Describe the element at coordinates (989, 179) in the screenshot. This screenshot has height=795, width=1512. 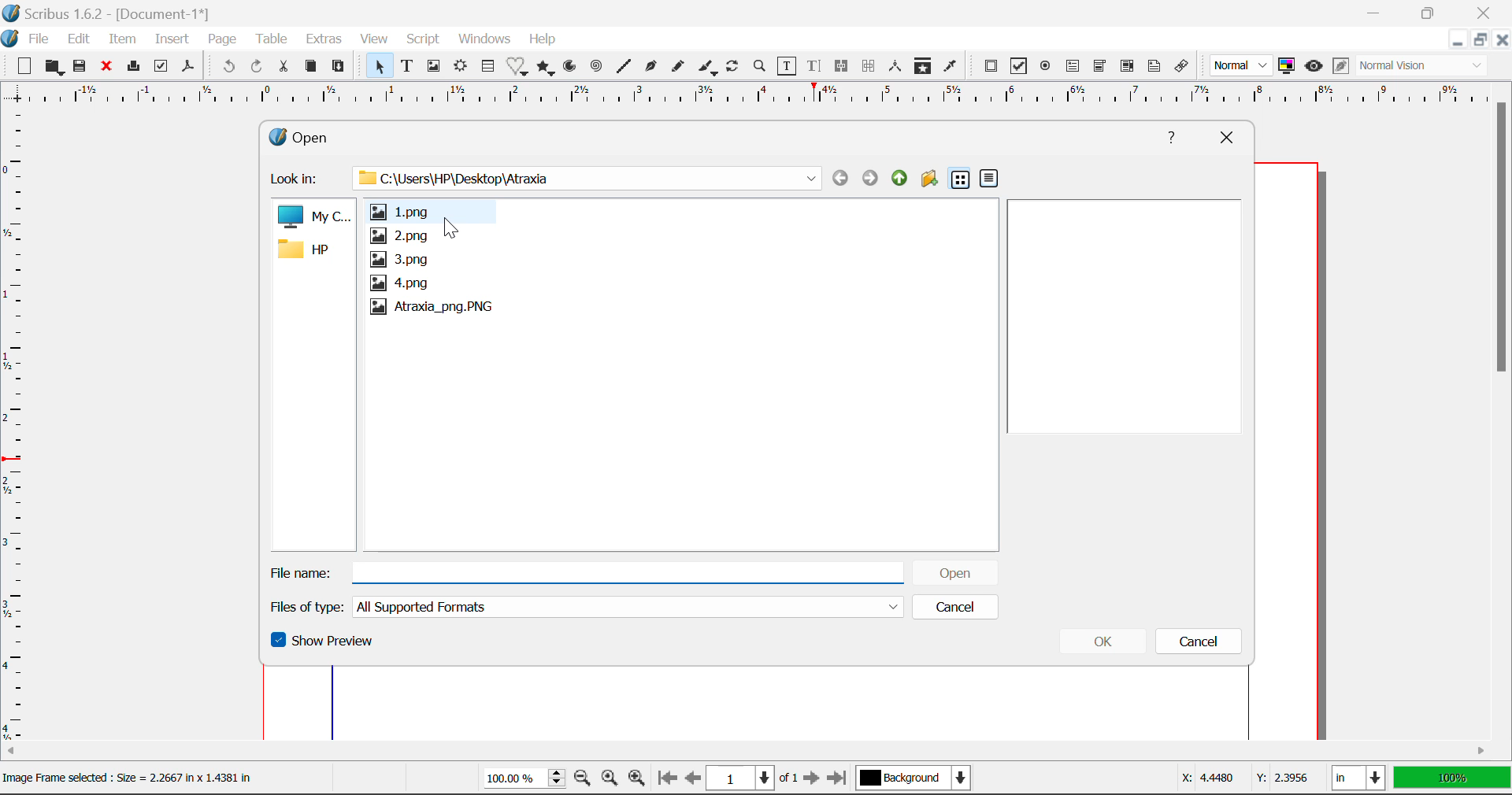
I see `Detail View` at that location.